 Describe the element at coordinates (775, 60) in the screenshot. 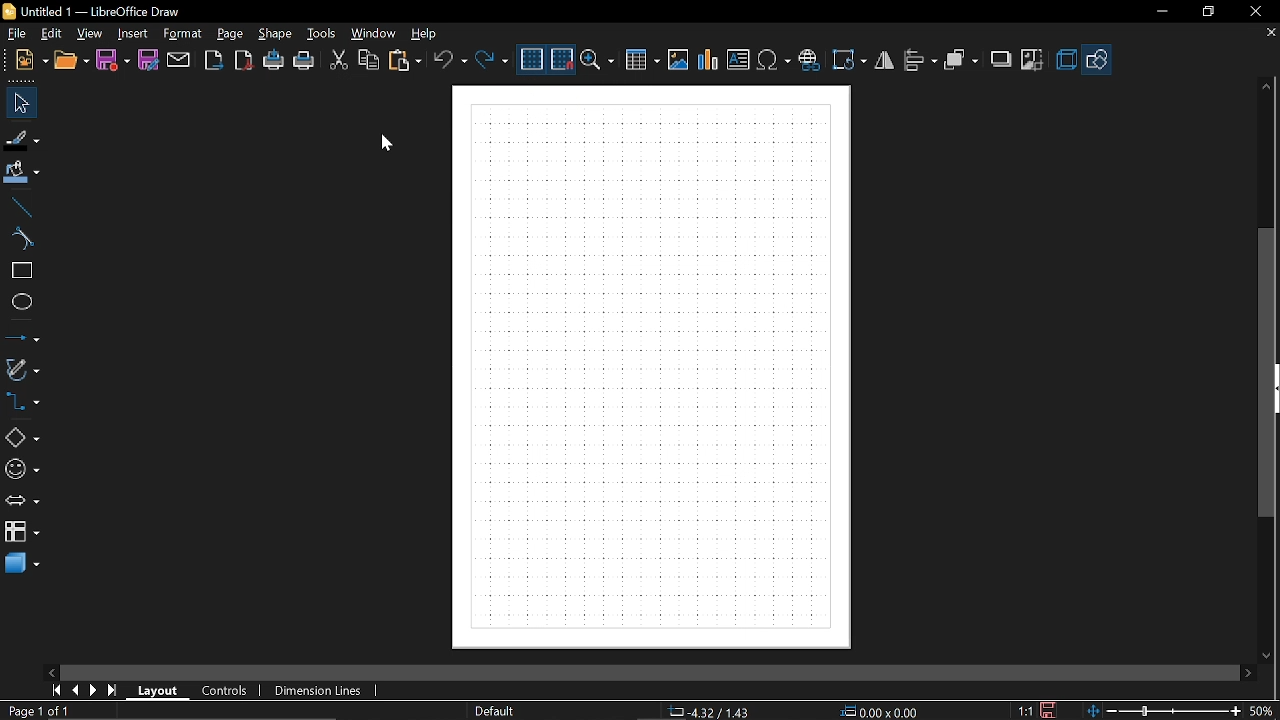

I see ` symbols` at that location.